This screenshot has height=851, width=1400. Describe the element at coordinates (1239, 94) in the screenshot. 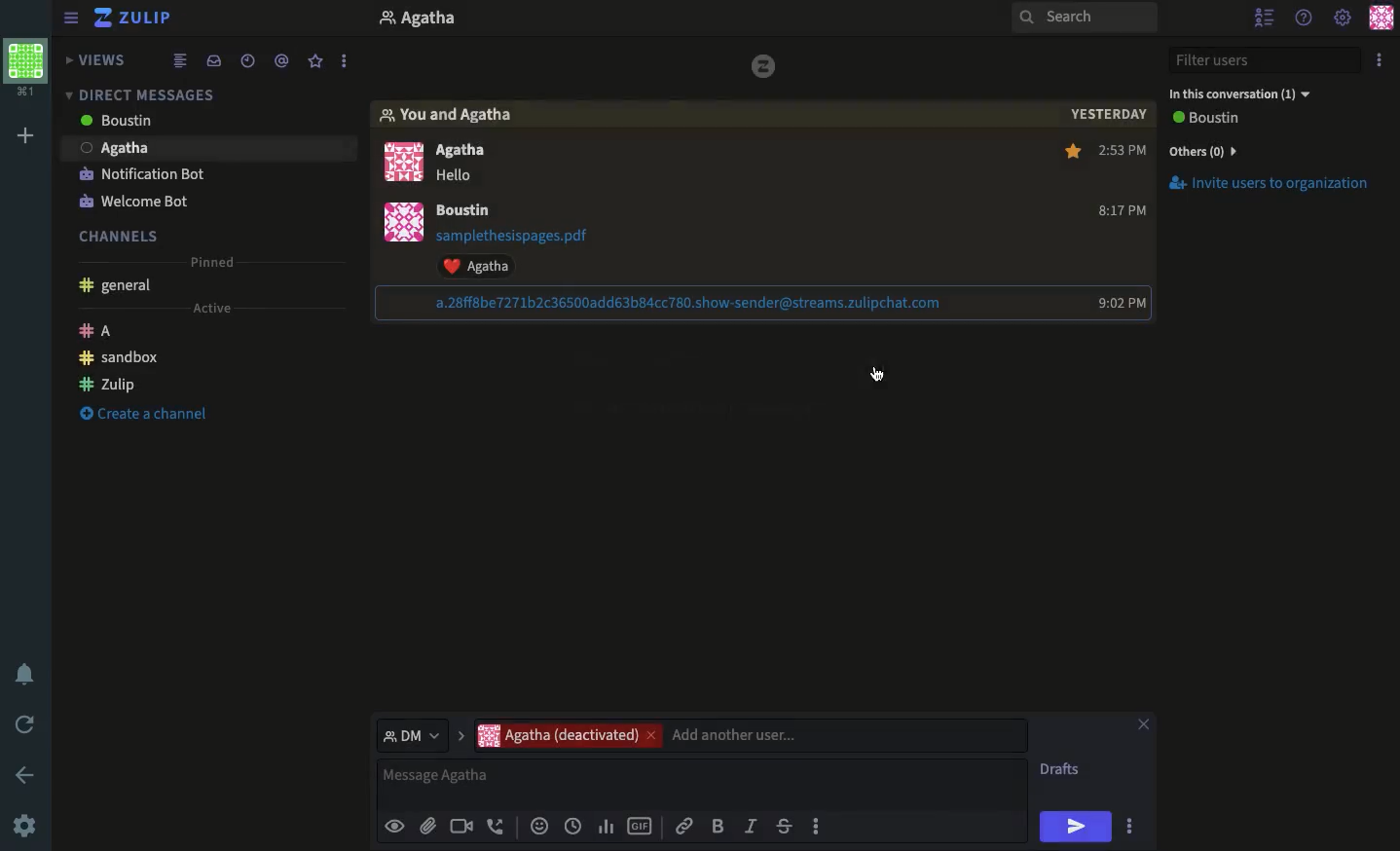

I see `In this conversation` at that location.